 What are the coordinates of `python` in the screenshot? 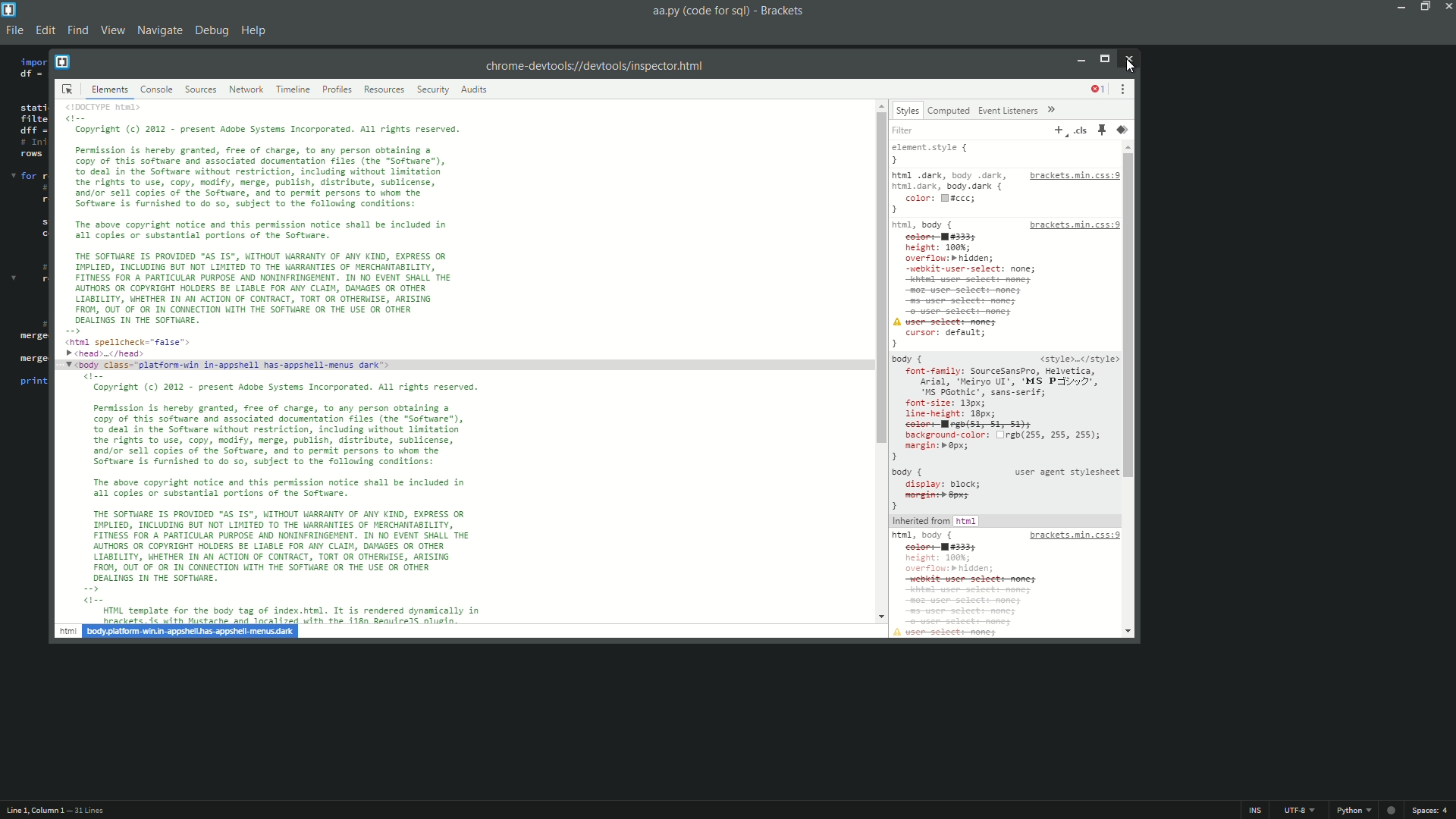 It's located at (1354, 810).